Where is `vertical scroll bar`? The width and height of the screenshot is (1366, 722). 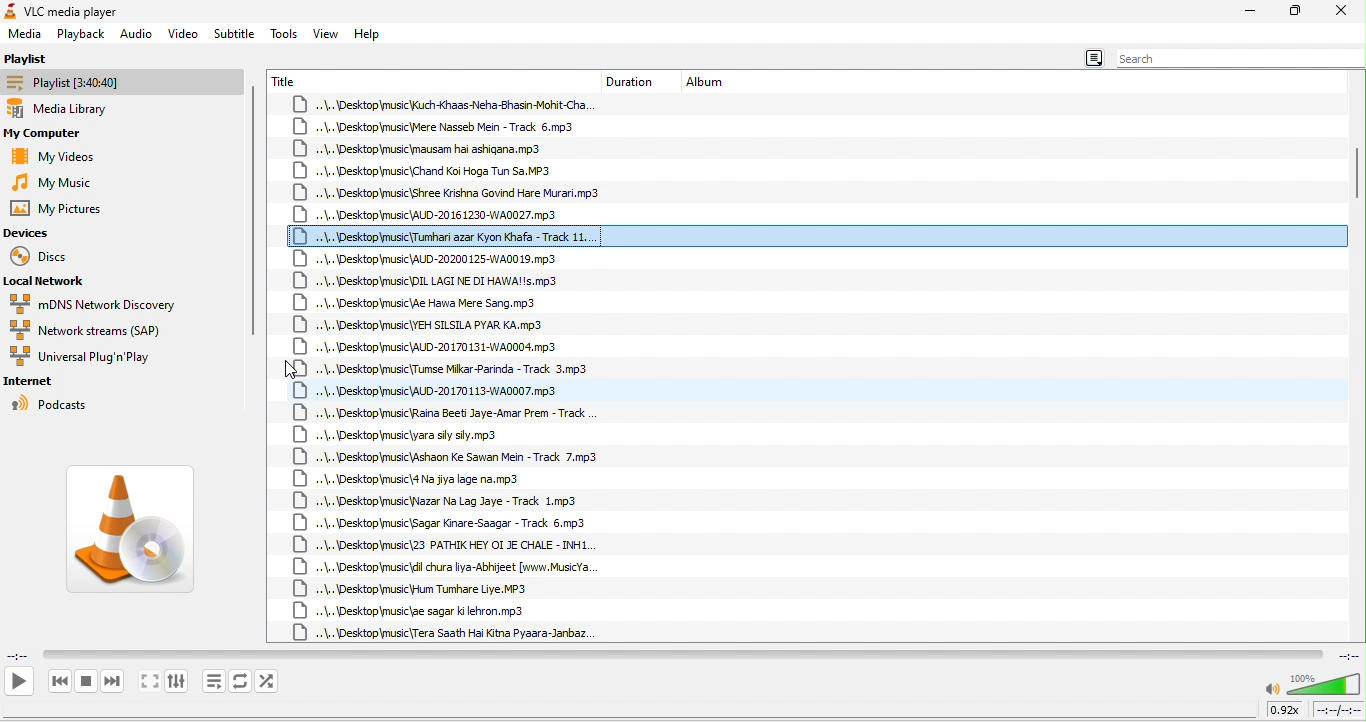 vertical scroll bar is located at coordinates (253, 209).